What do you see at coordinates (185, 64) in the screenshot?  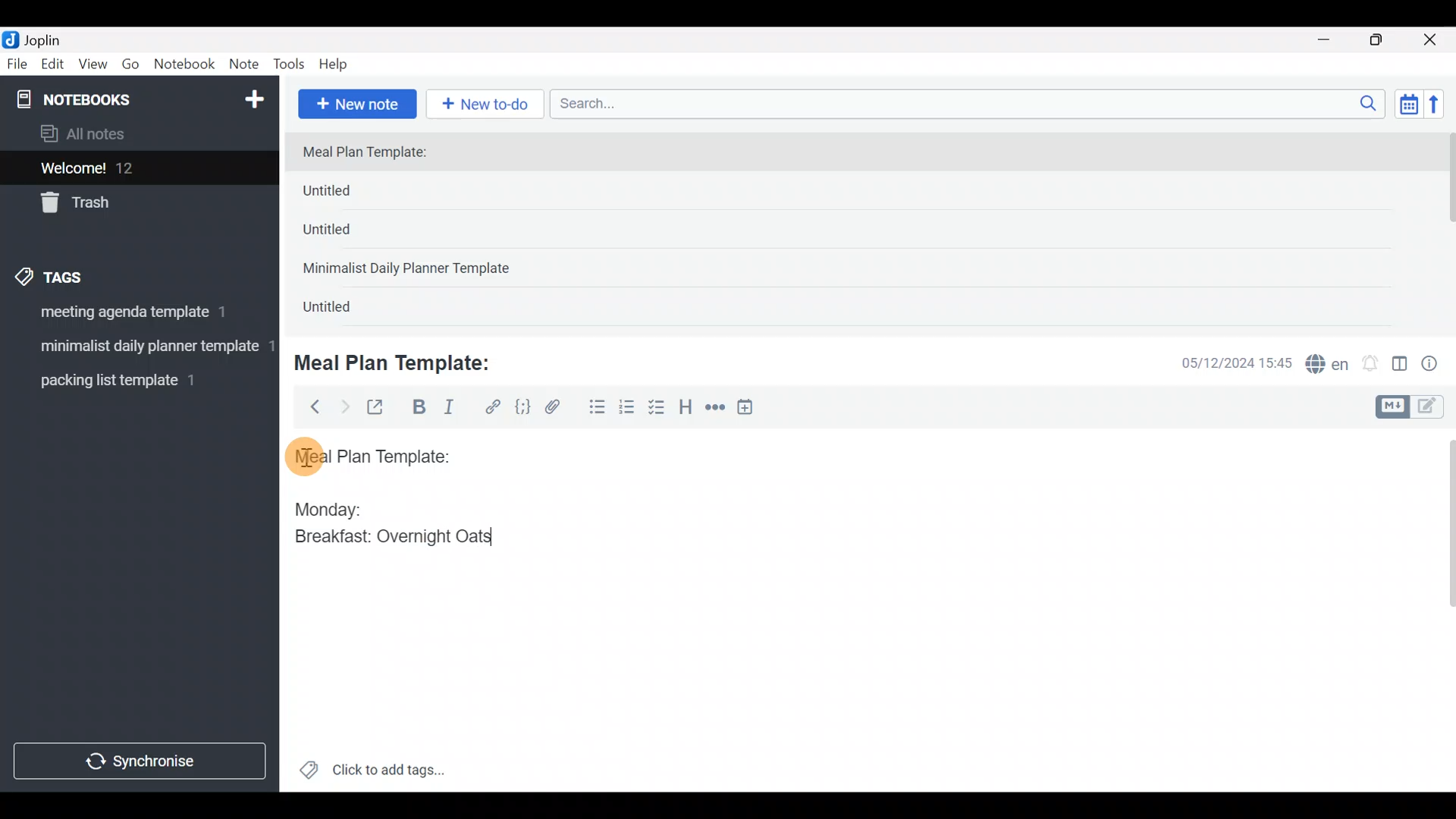 I see `Notebook` at bounding box center [185, 64].